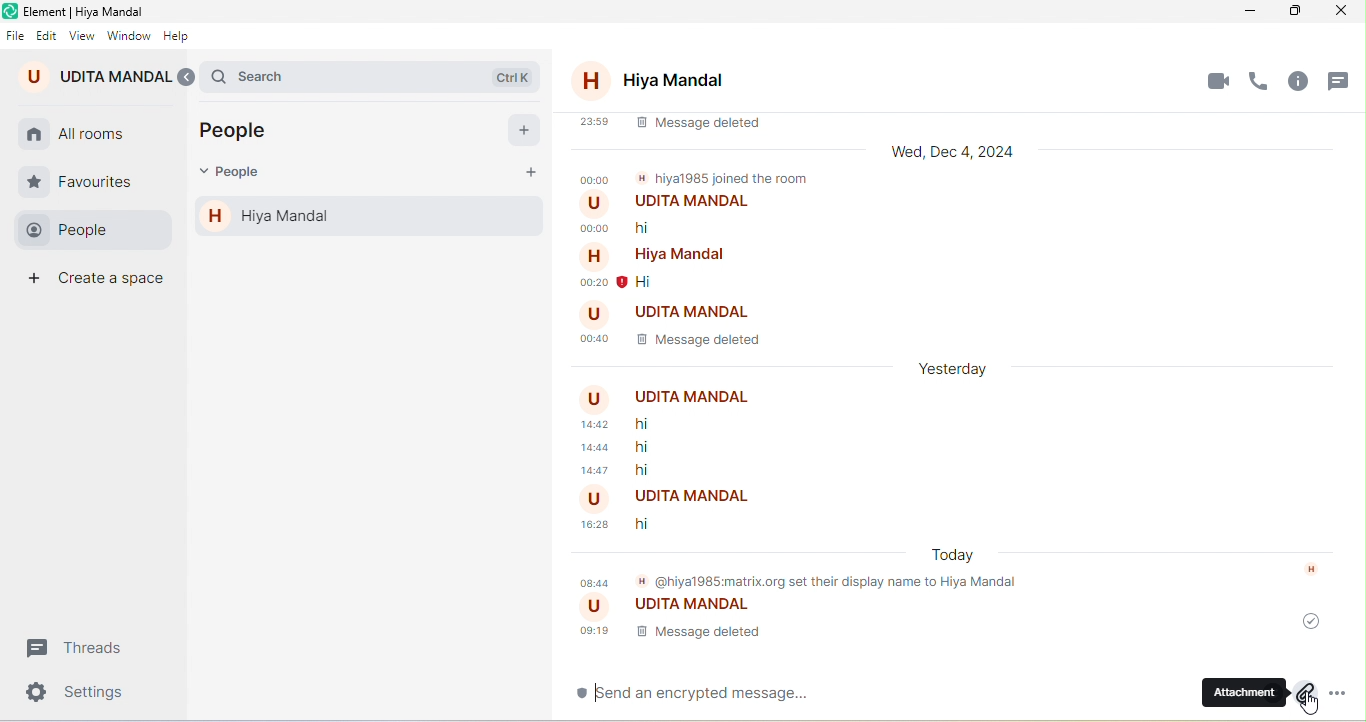 This screenshot has width=1366, height=722. What do you see at coordinates (370, 217) in the screenshot?
I see `hiya mandal` at bounding box center [370, 217].